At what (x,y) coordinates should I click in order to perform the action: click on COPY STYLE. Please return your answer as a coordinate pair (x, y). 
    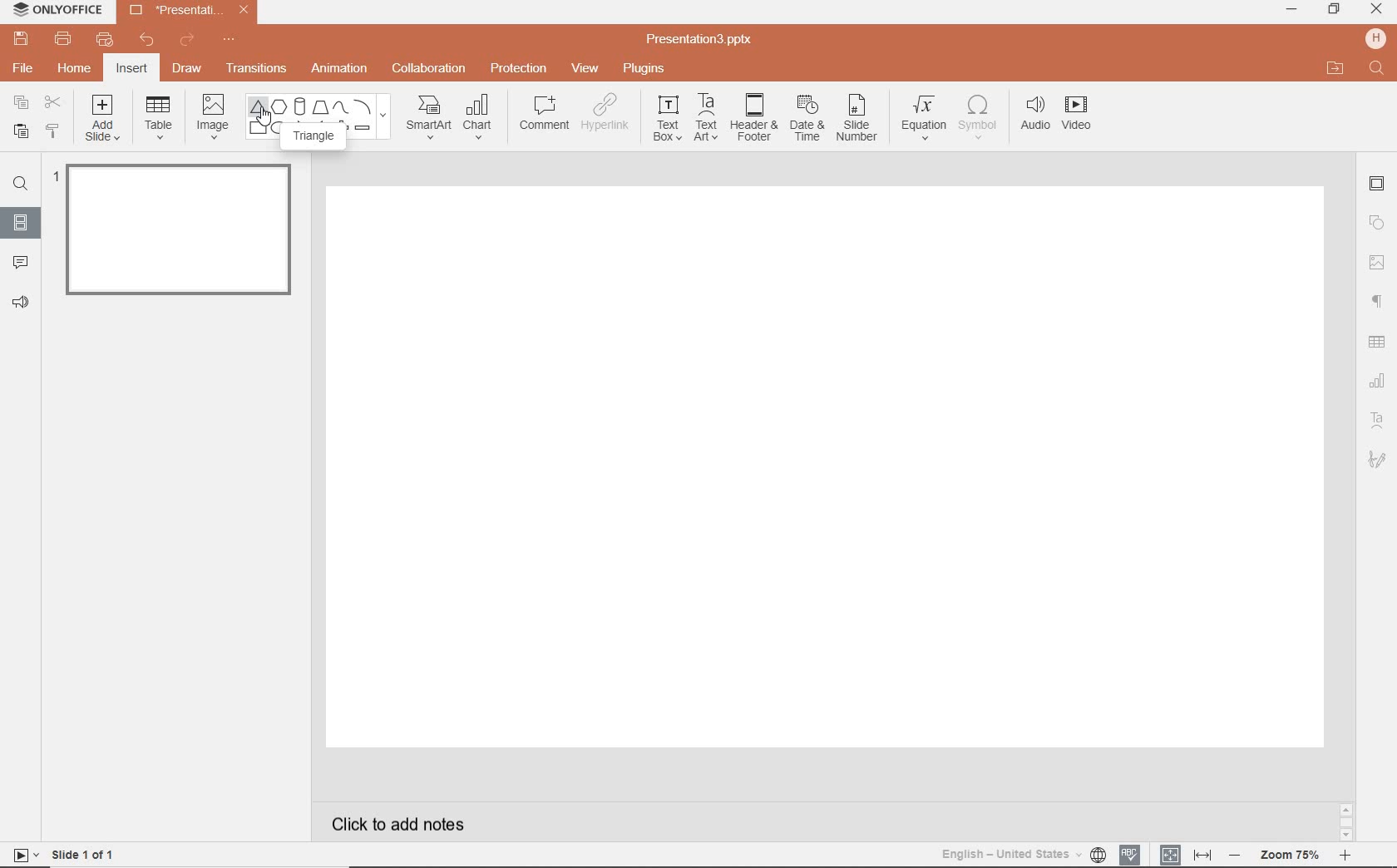
    Looking at the image, I should click on (54, 131).